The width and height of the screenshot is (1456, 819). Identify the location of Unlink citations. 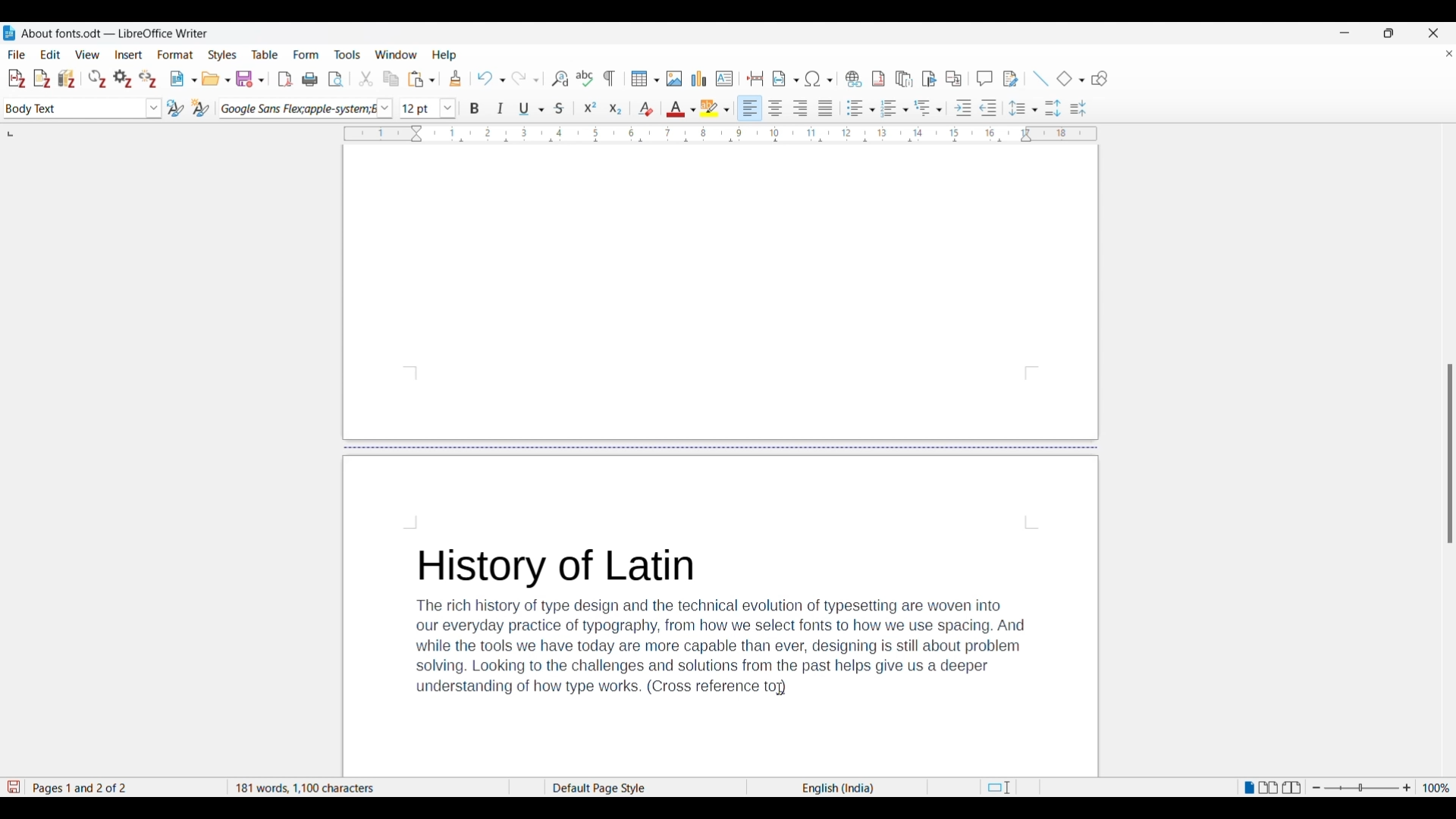
(147, 80).